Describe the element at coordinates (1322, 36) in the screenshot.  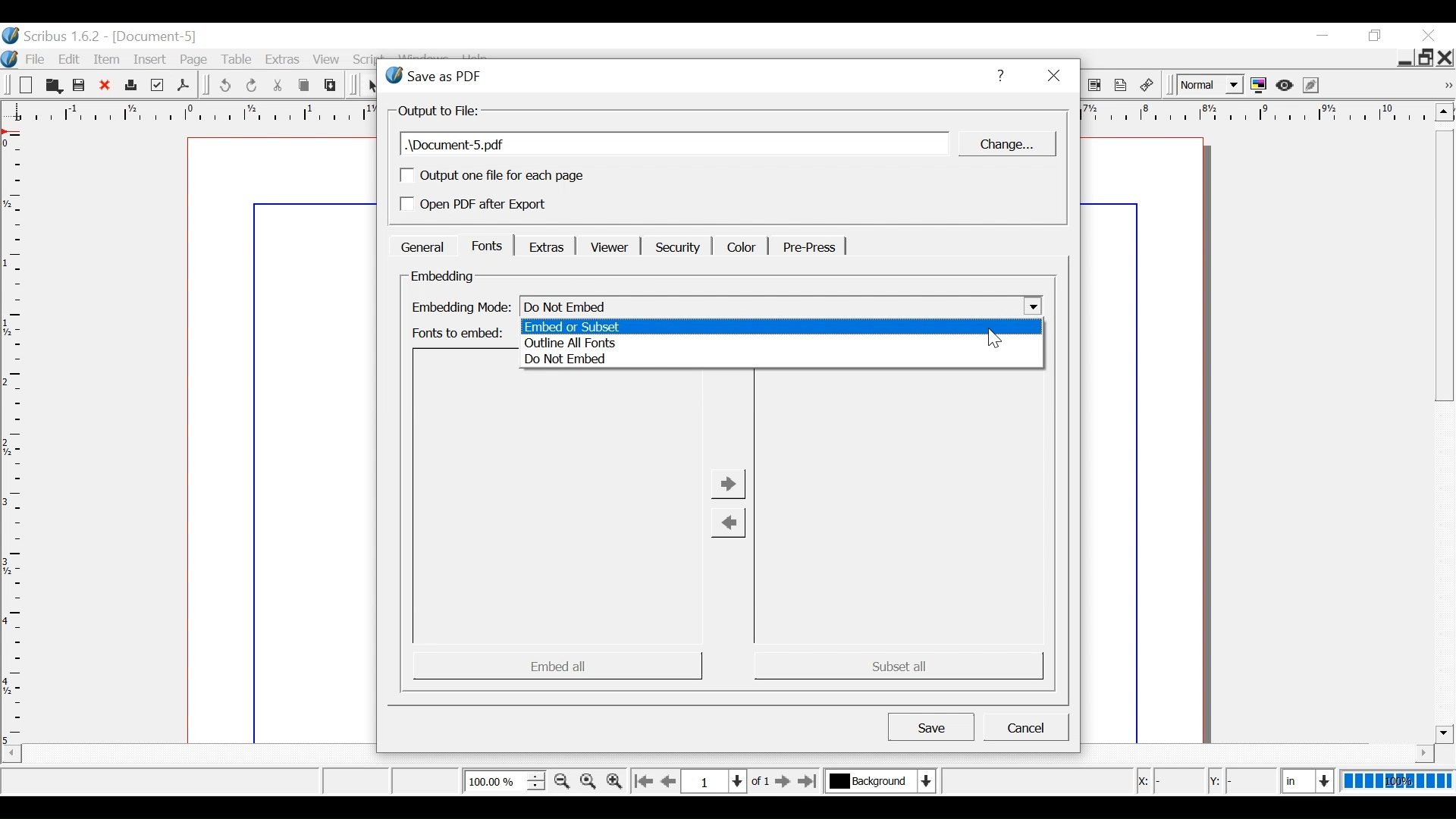
I see `minimize` at that location.